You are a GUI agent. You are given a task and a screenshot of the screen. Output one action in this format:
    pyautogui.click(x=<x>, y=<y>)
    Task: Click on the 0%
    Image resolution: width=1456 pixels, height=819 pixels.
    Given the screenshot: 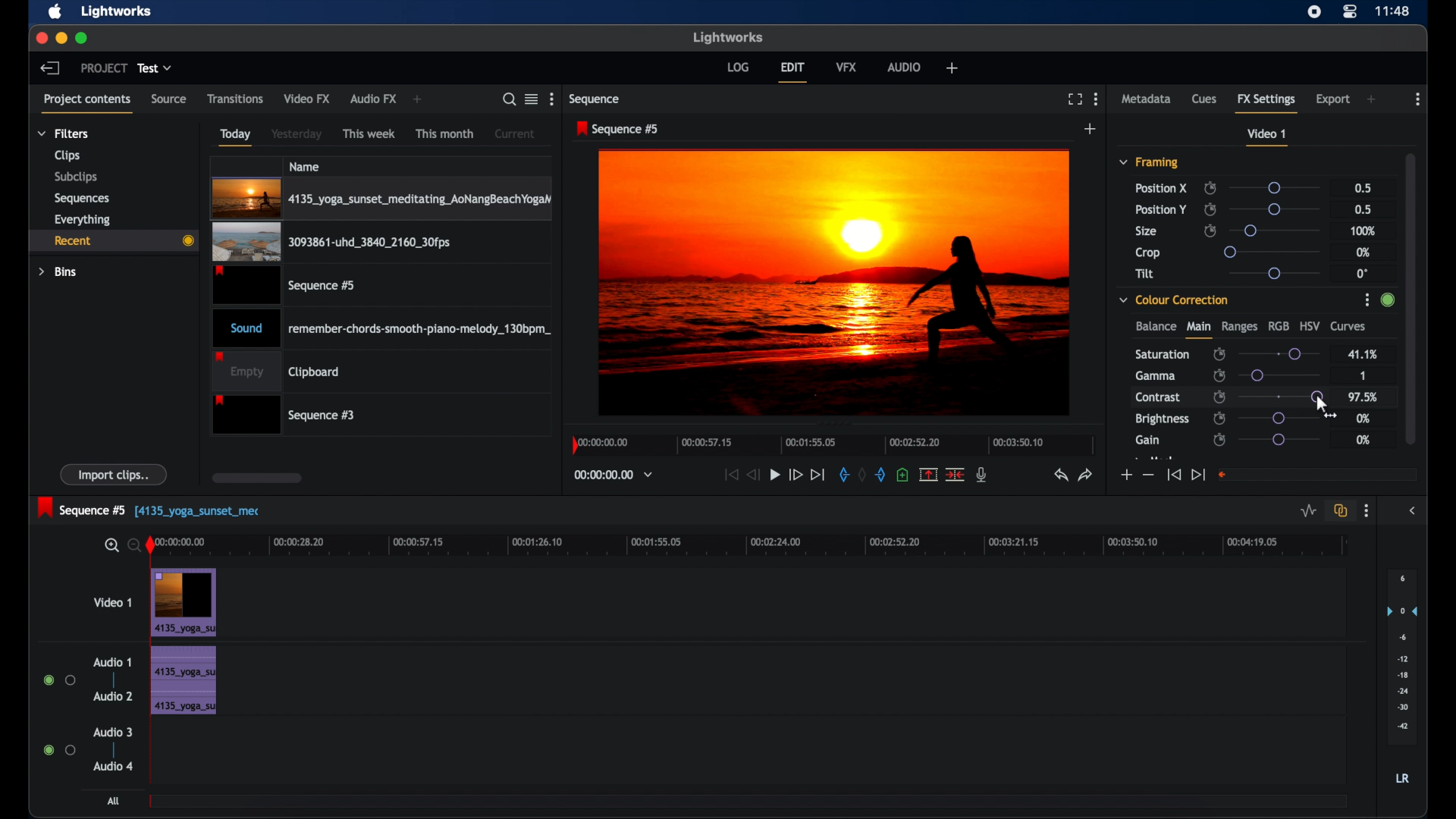 What is the action you would take?
    pyautogui.click(x=1364, y=419)
    